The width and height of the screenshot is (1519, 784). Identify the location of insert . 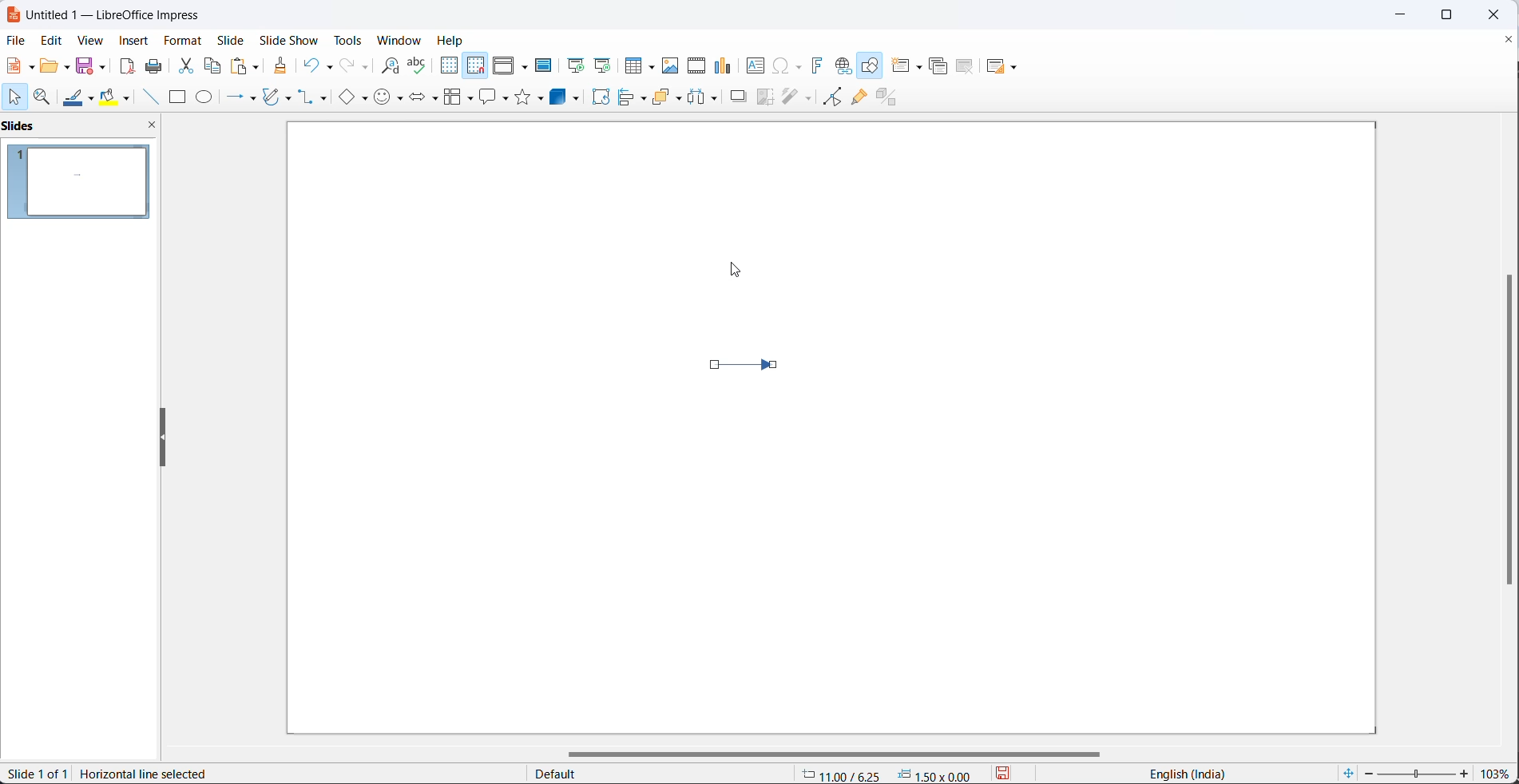
(137, 42).